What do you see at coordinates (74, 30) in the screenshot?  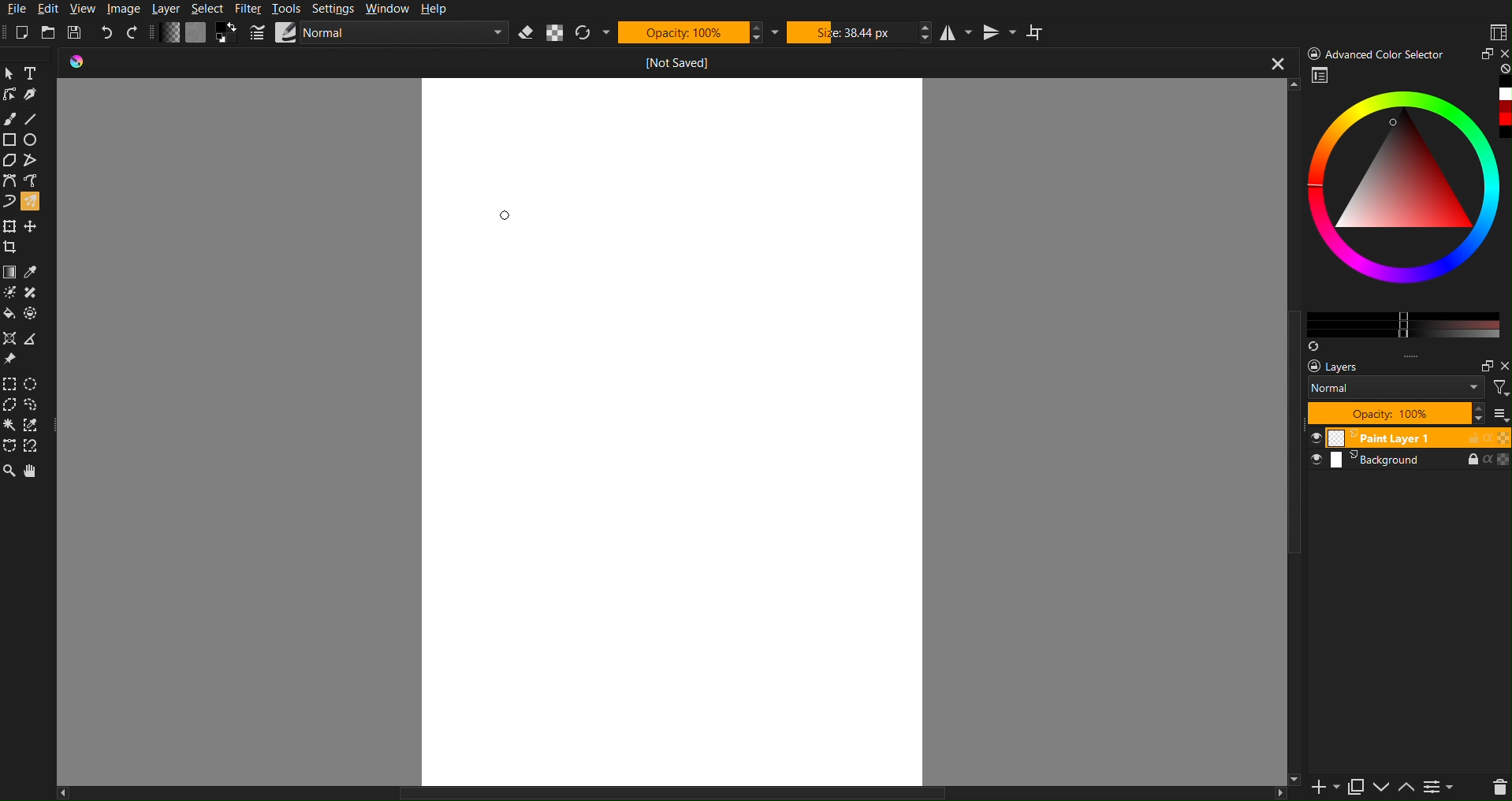 I see `Save` at bounding box center [74, 30].